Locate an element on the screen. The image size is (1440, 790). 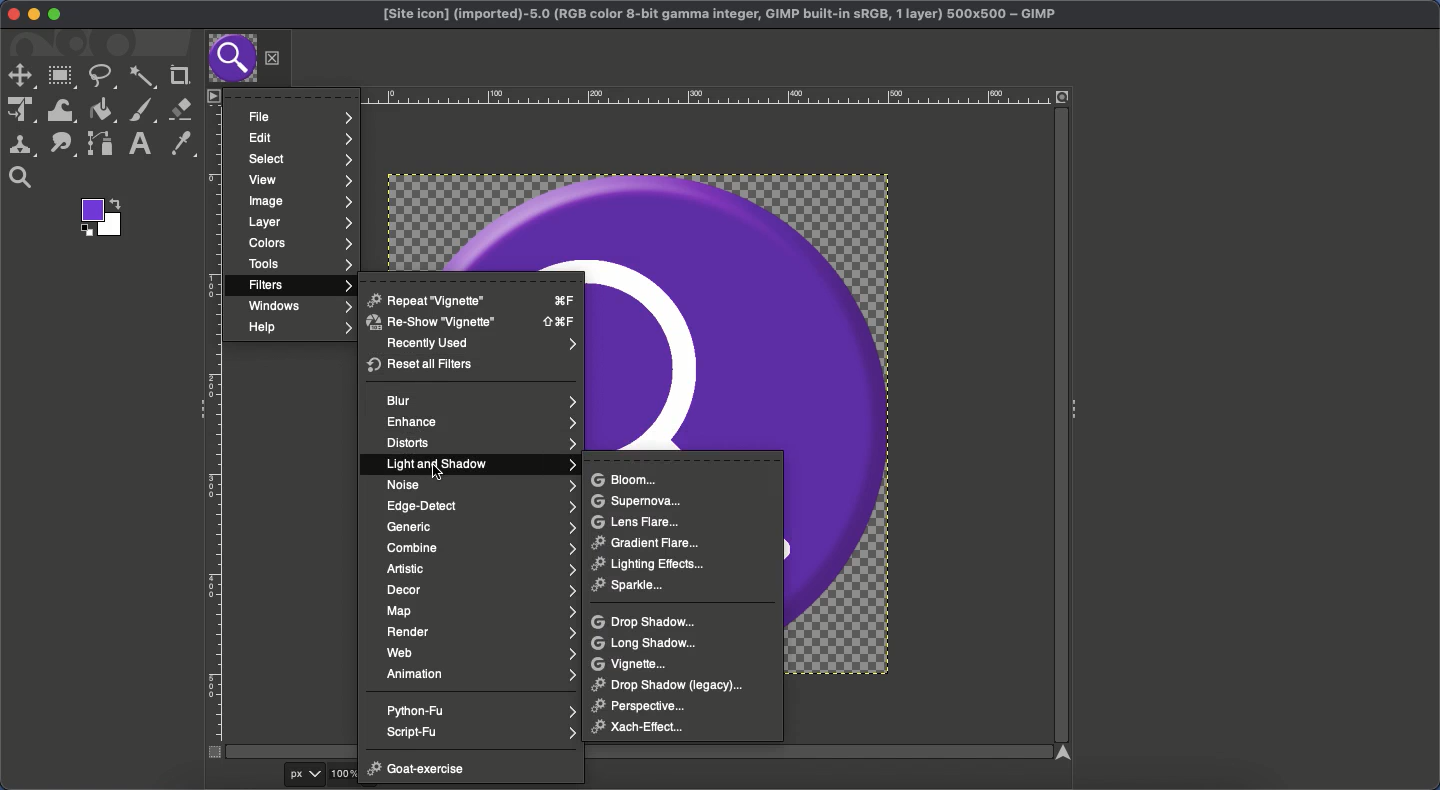
Blue is located at coordinates (482, 400).